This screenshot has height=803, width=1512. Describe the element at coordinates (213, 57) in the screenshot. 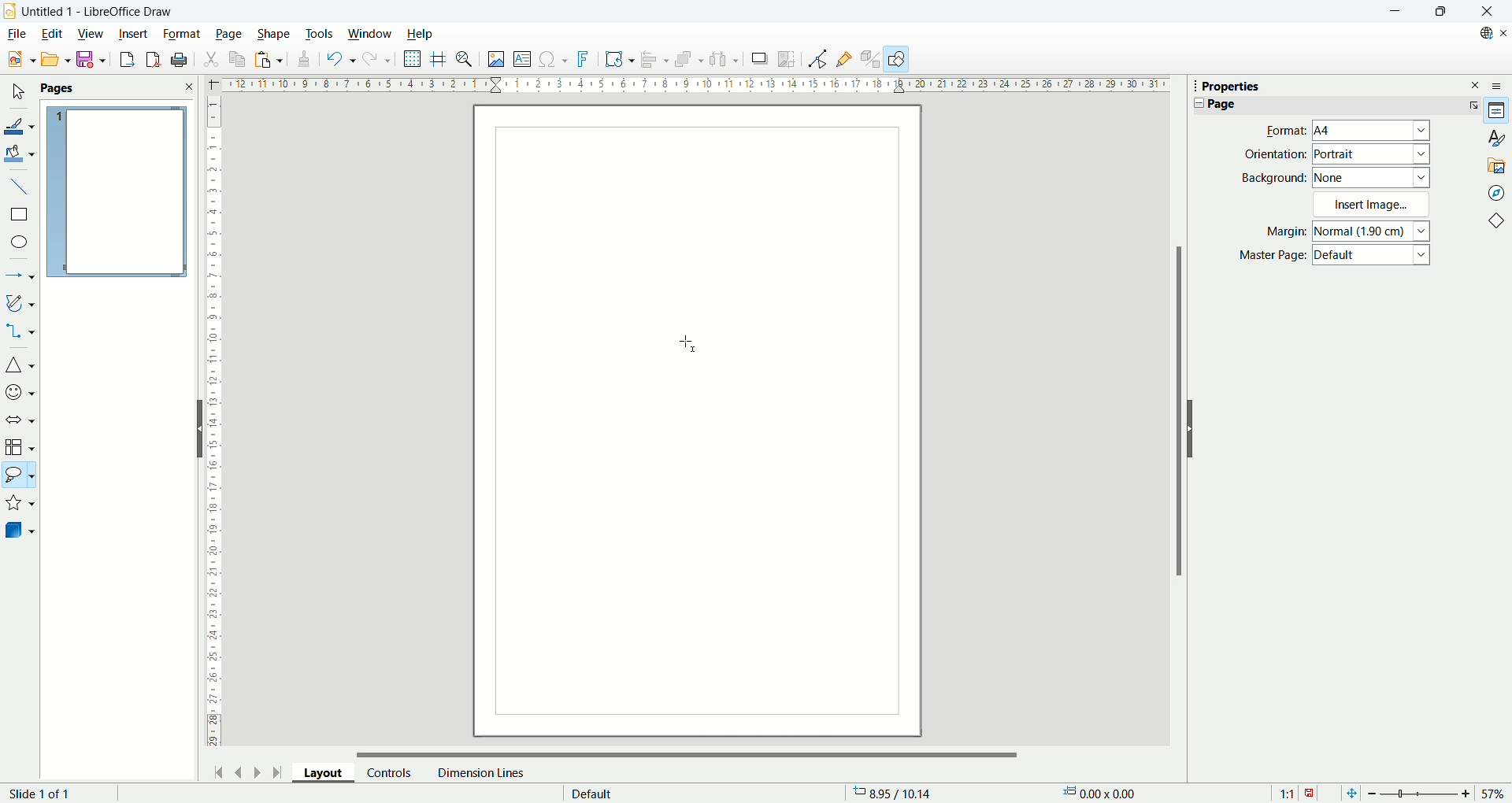

I see `cut` at that location.